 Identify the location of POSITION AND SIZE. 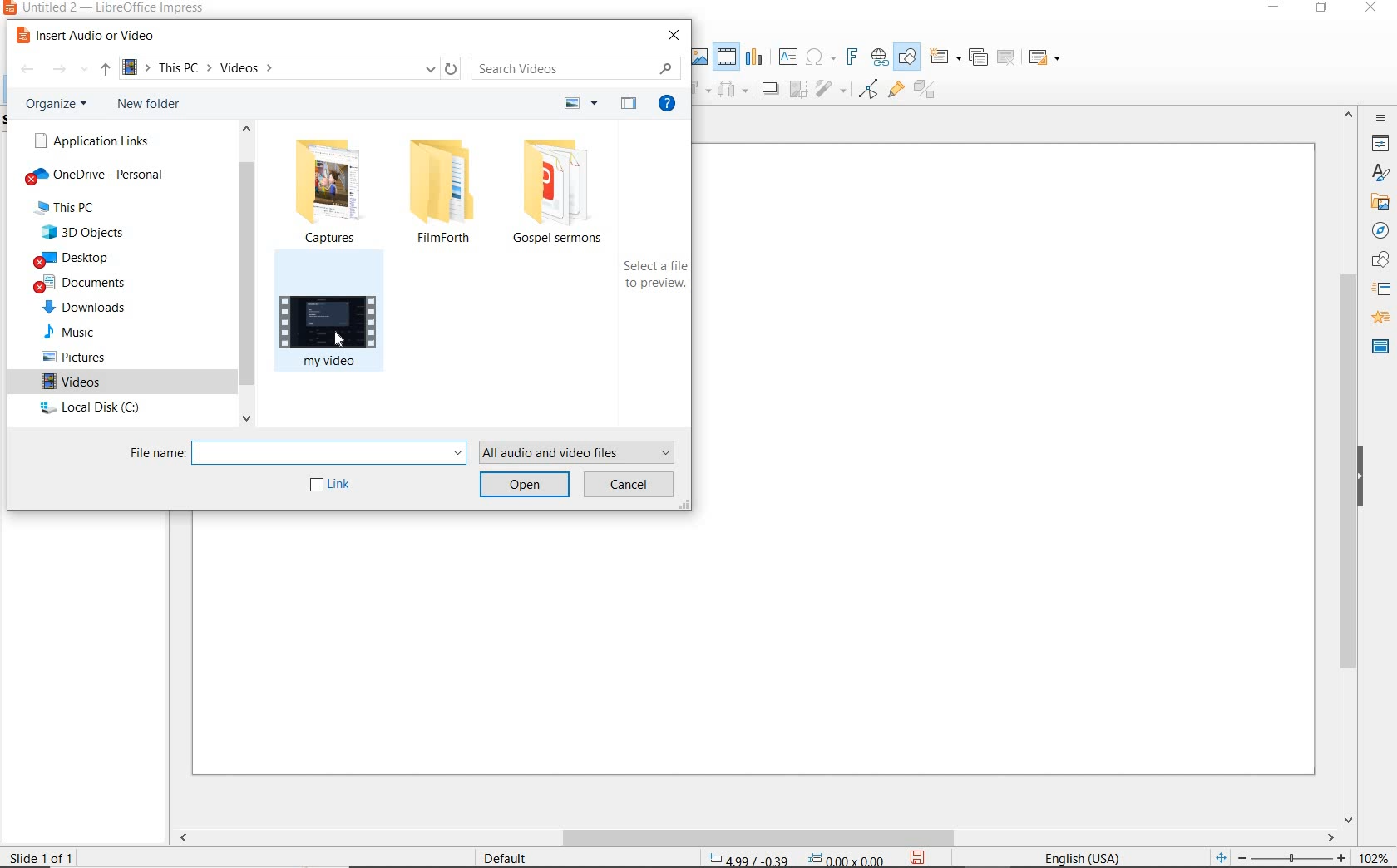
(797, 857).